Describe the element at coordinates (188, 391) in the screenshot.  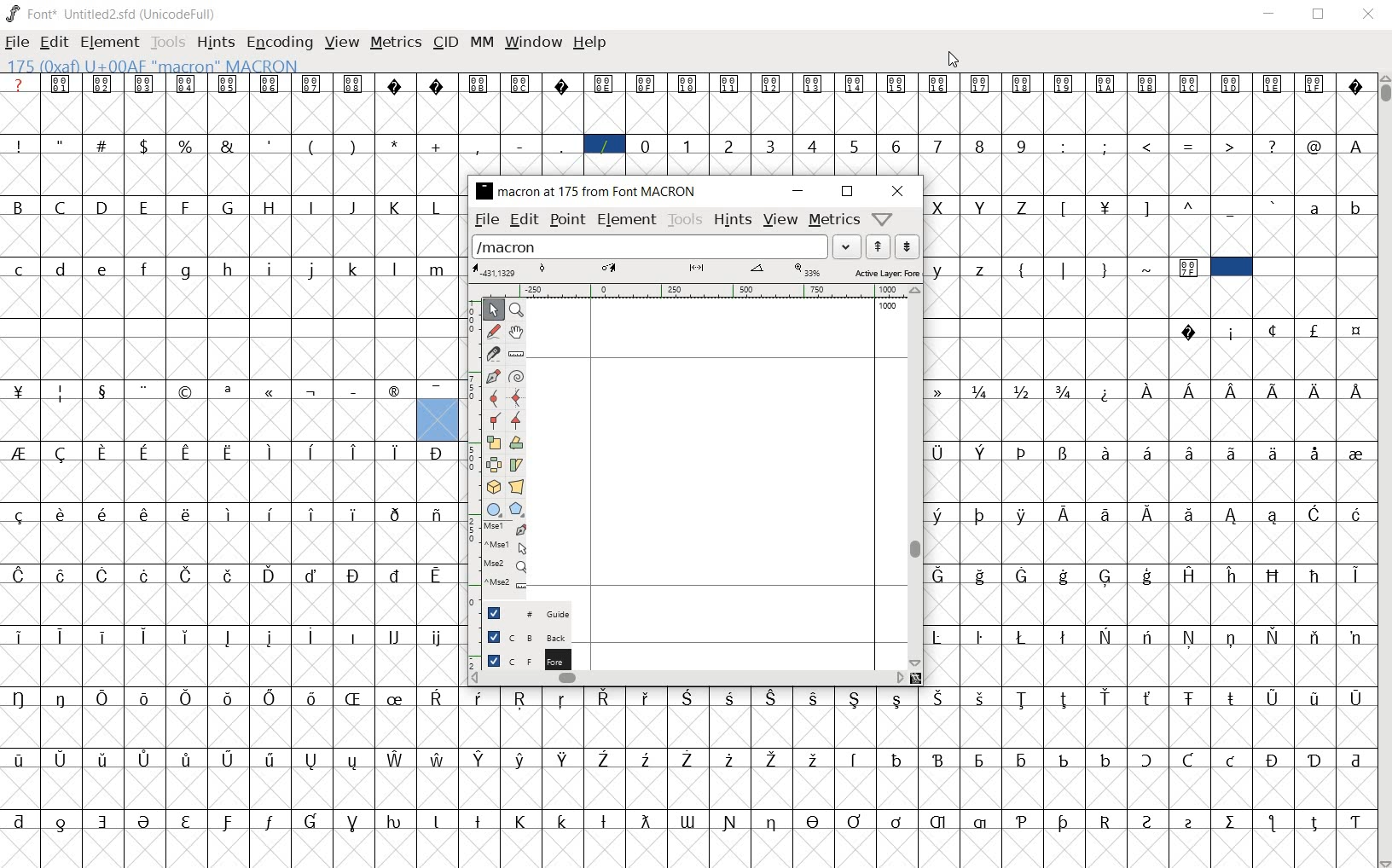
I see `Symbol` at that location.